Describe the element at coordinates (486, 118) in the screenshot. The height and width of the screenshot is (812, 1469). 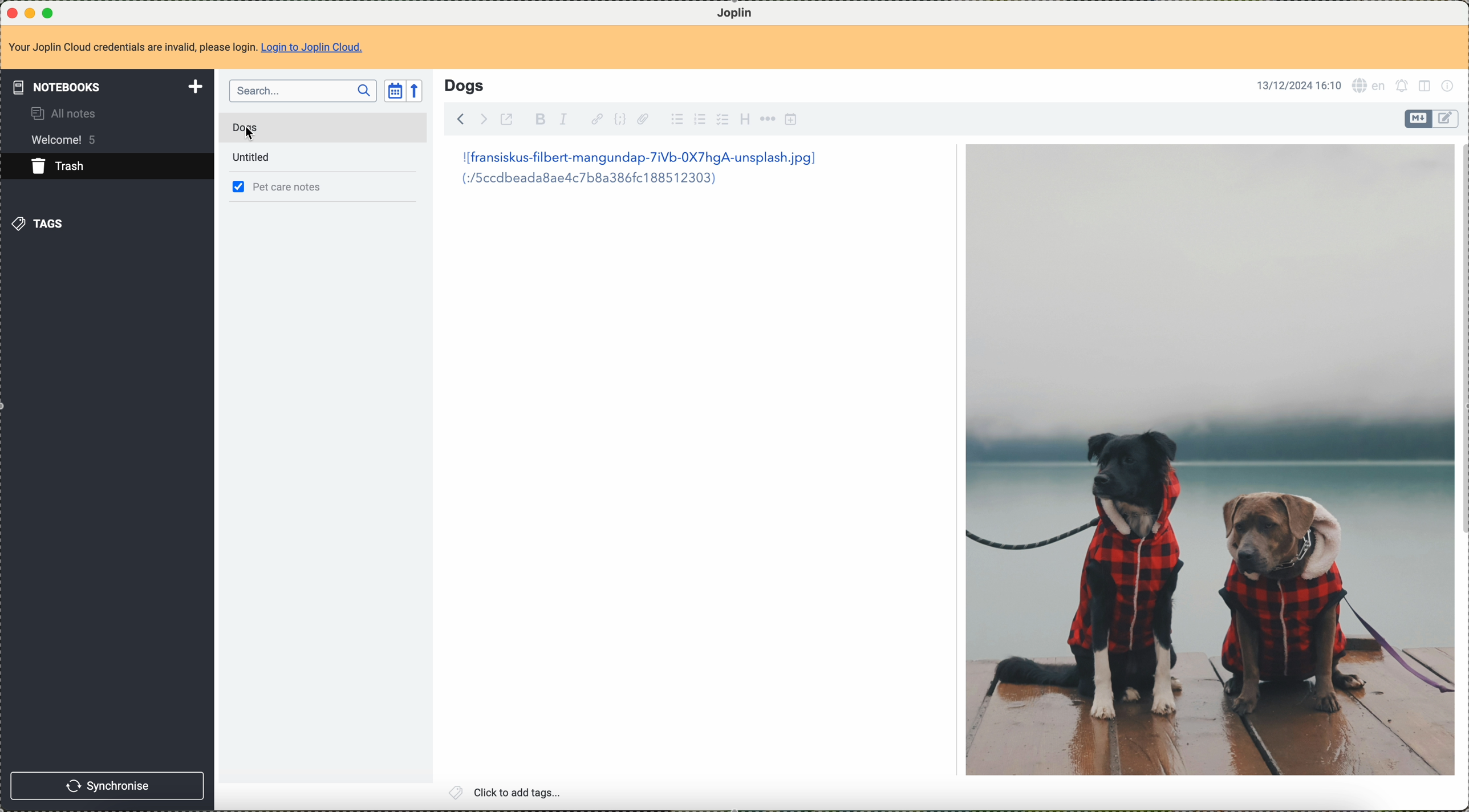
I see `foward` at that location.